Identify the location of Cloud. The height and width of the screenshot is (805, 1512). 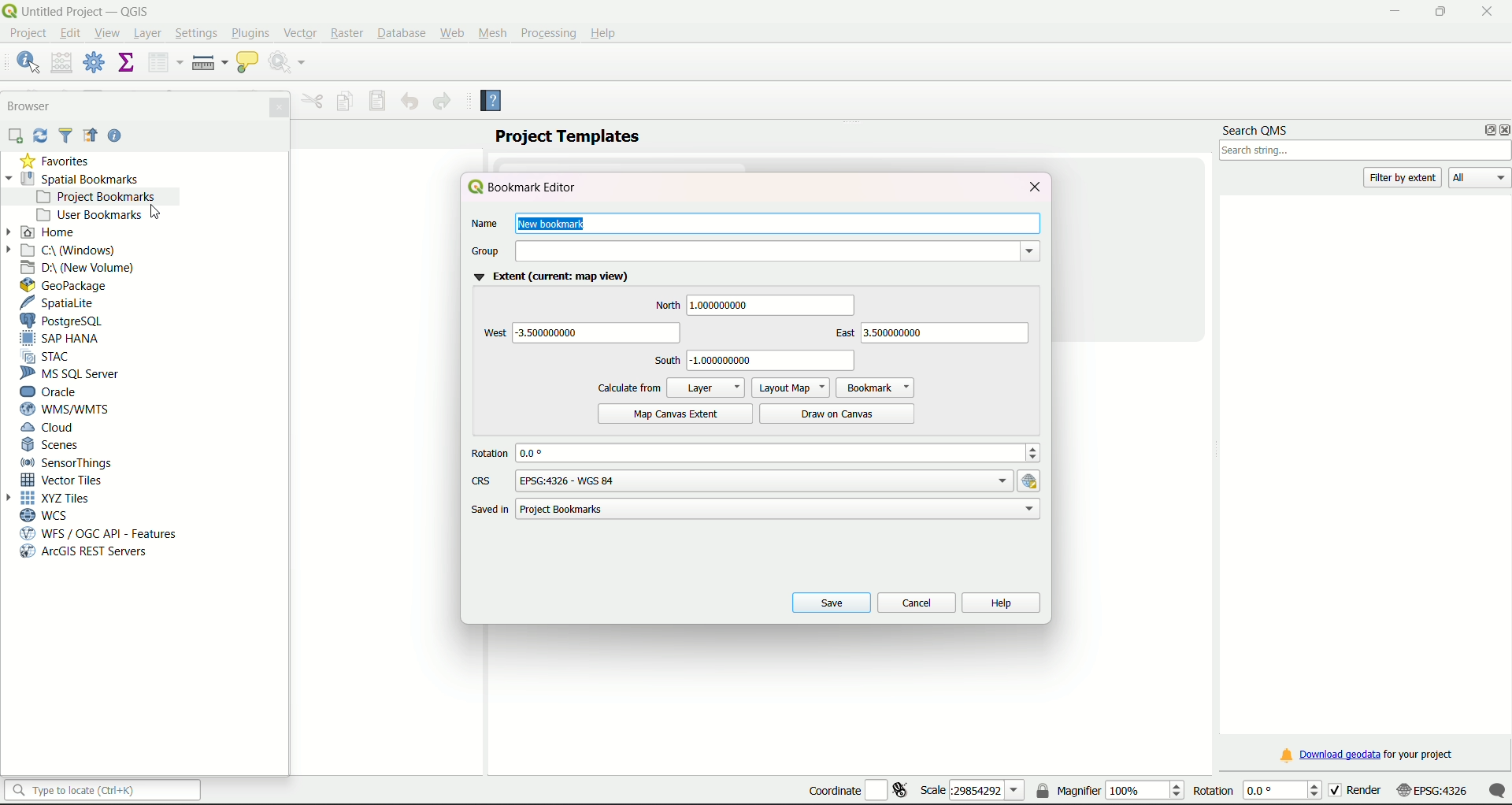
(49, 428).